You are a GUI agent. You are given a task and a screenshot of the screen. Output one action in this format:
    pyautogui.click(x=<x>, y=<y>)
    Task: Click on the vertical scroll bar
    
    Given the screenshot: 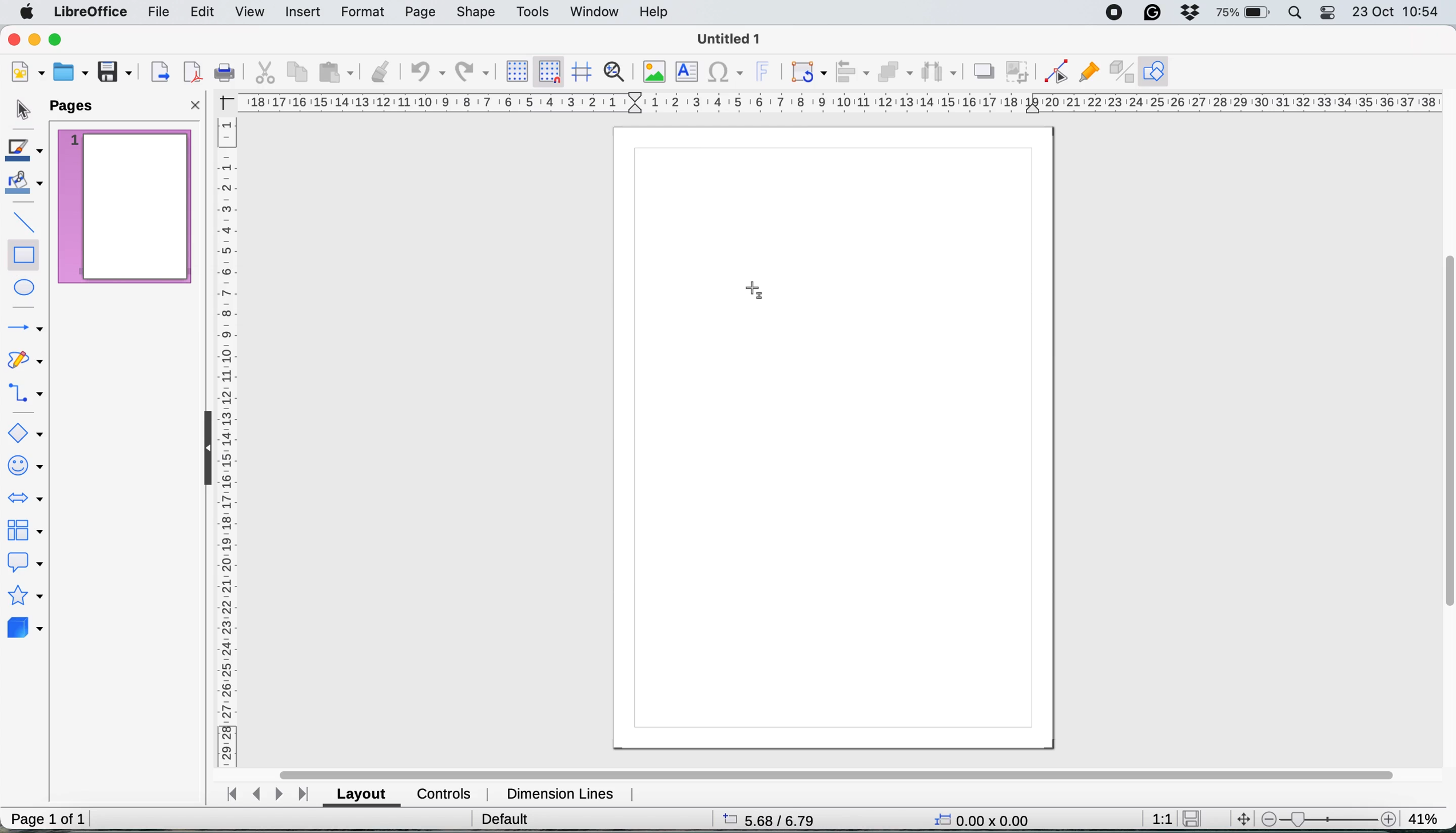 What is the action you would take?
    pyautogui.click(x=1445, y=433)
    